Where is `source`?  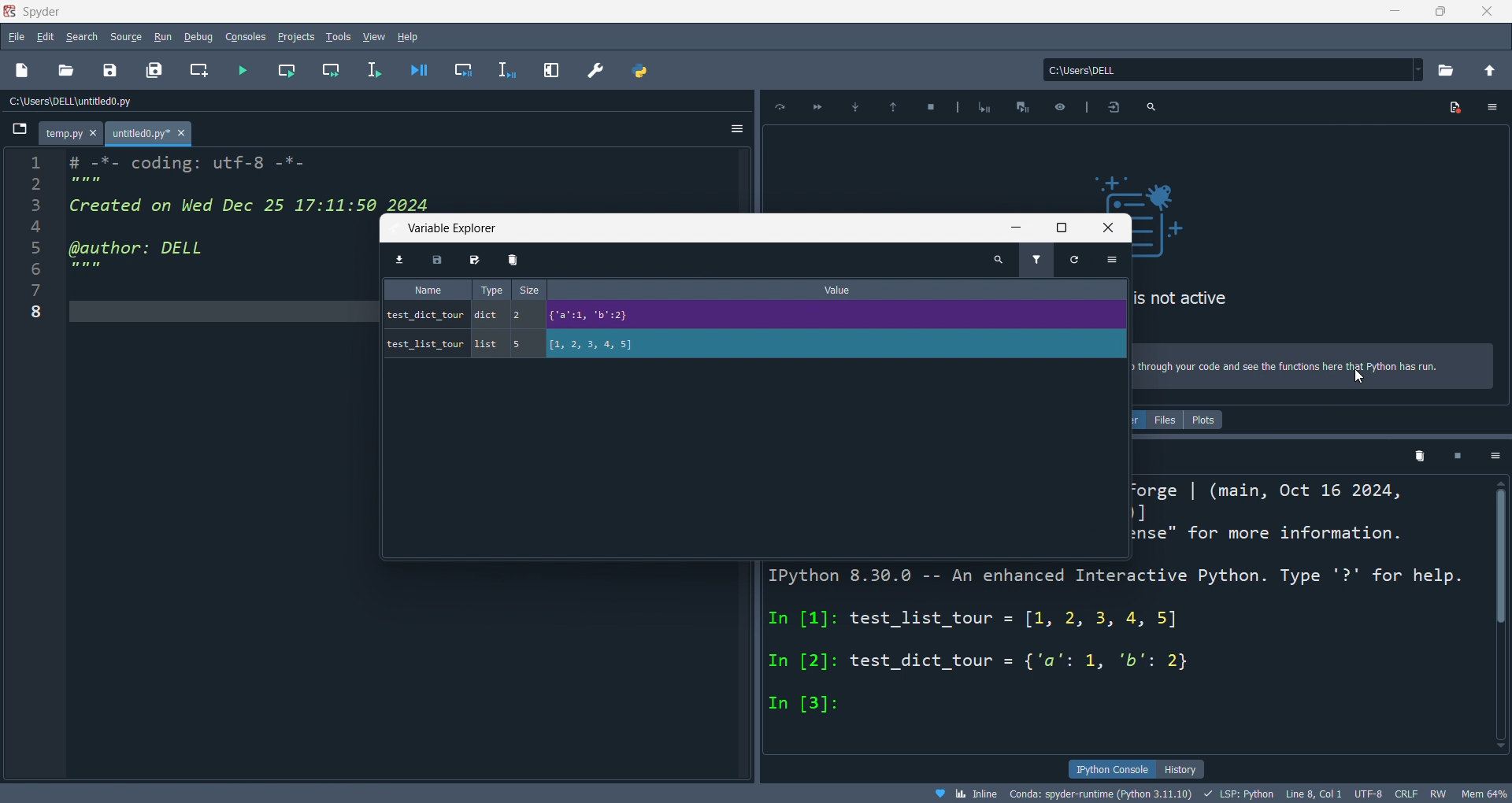
source is located at coordinates (125, 35).